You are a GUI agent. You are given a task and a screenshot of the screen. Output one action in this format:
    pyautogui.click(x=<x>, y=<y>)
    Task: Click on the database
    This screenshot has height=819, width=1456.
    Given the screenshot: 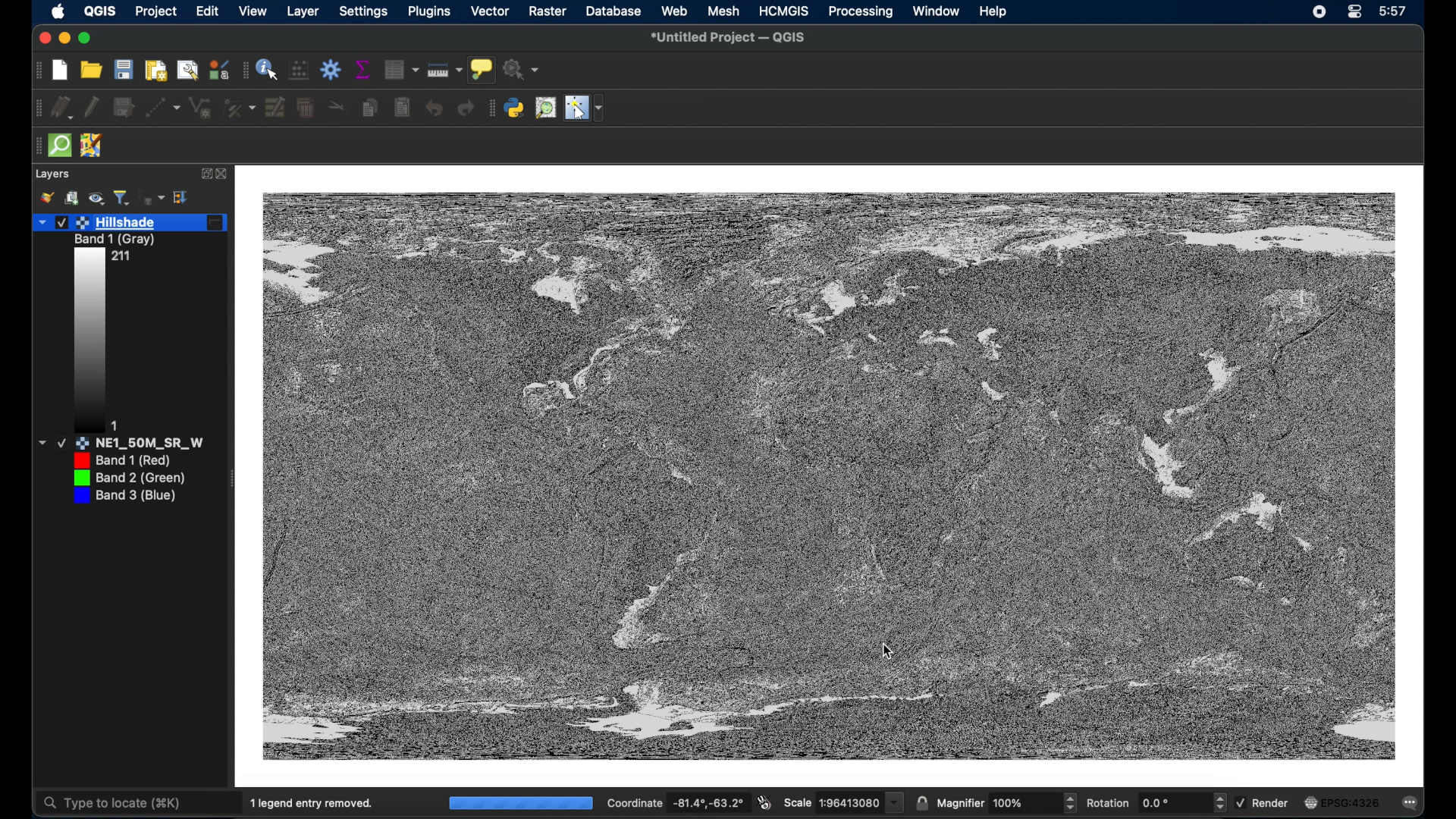 What is the action you would take?
    pyautogui.click(x=612, y=11)
    